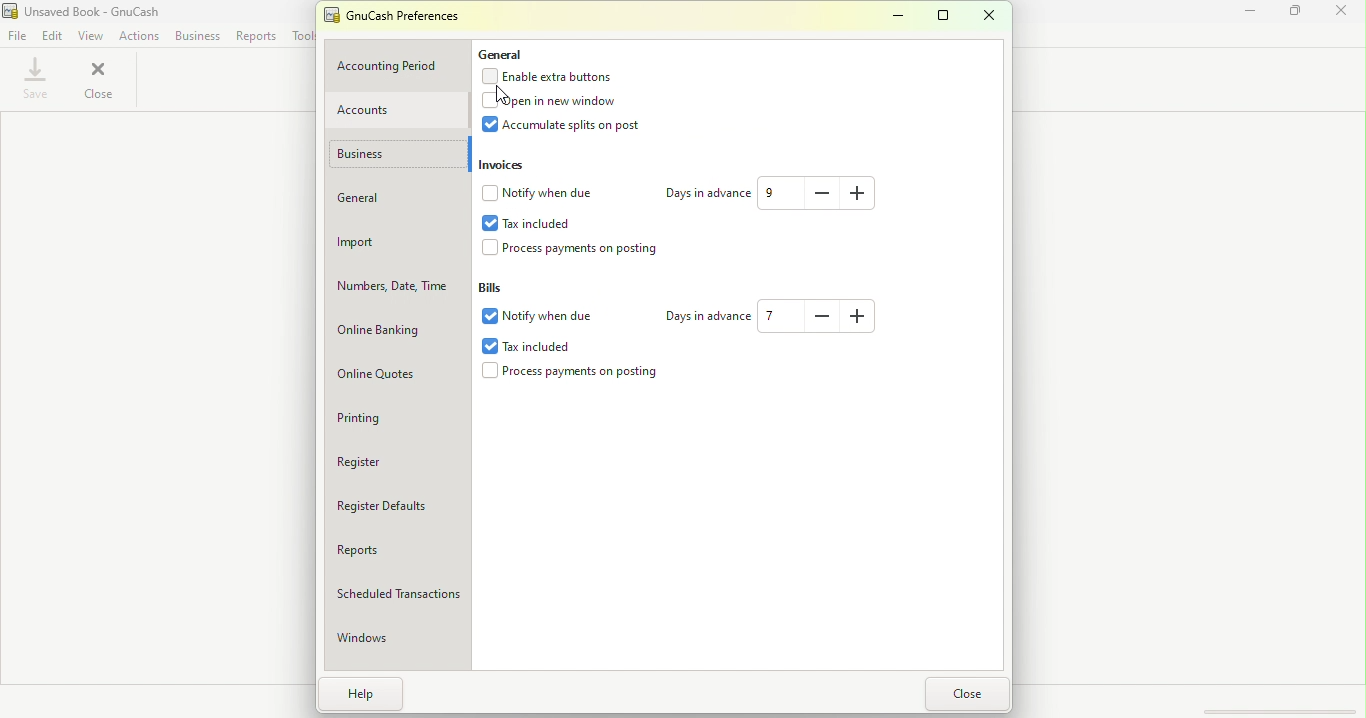  What do you see at coordinates (777, 317) in the screenshot?
I see `Text box` at bounding box center [777, 317].